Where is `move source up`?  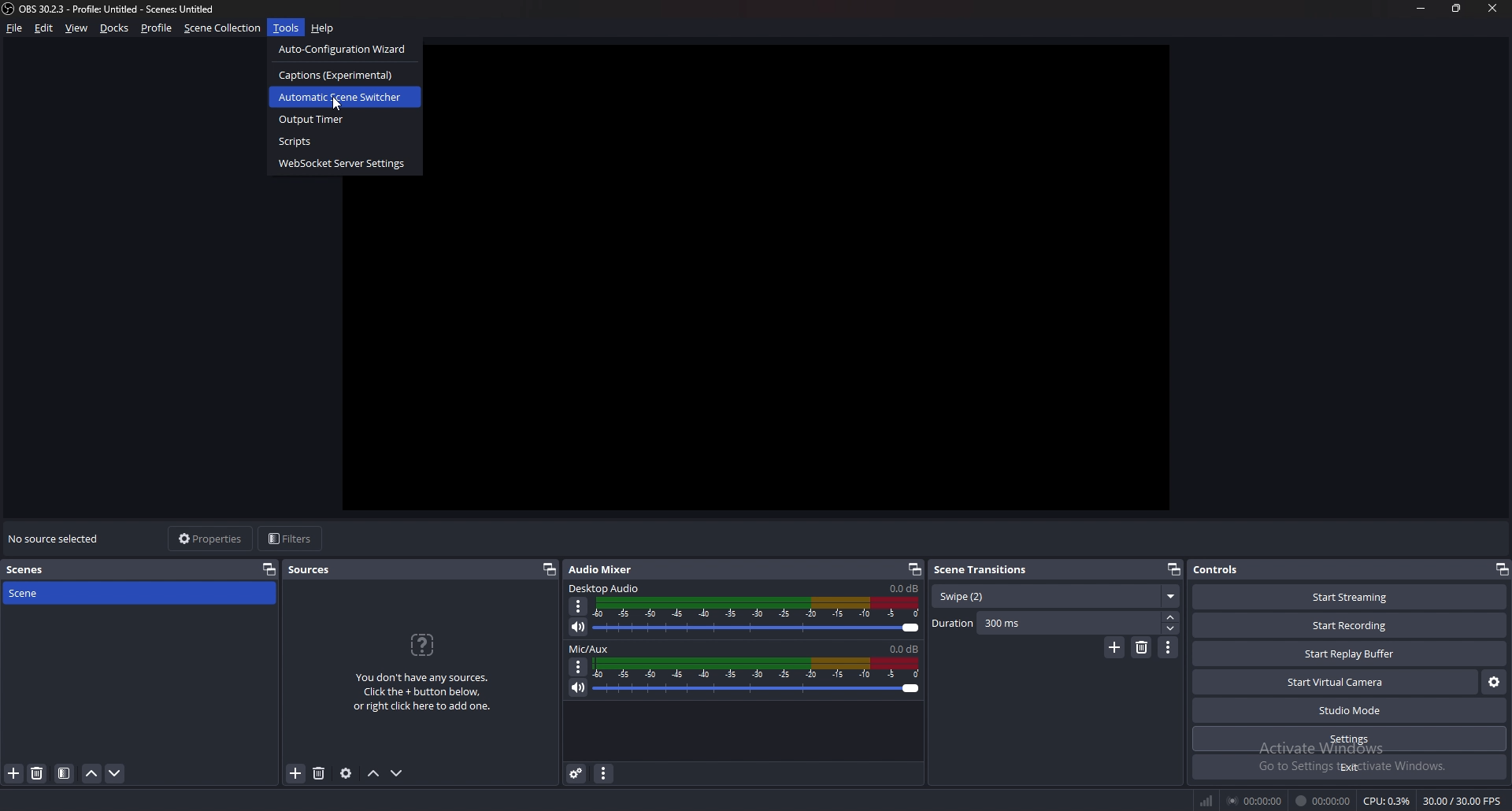
move source up is located at coordinates (373, 774).